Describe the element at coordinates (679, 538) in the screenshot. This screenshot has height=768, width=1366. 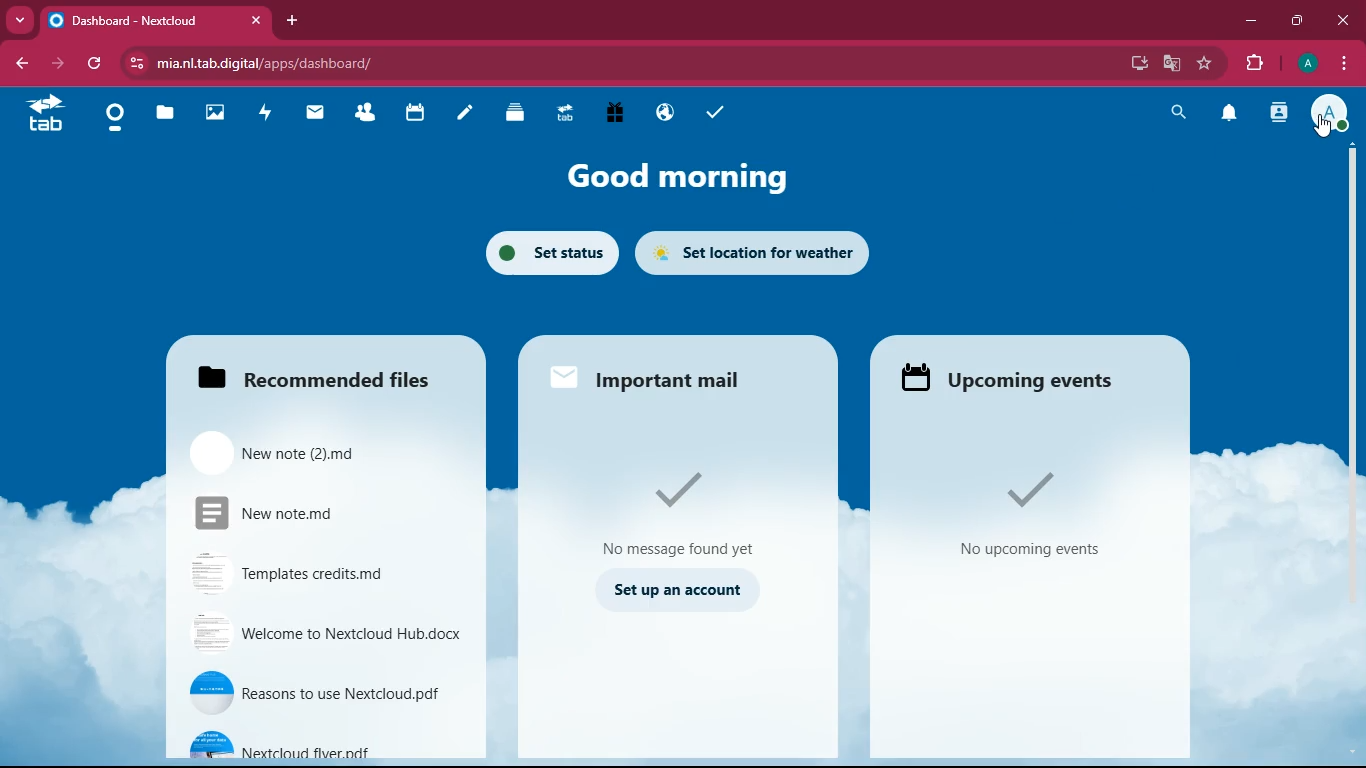
I see `no message found yet` at that location.